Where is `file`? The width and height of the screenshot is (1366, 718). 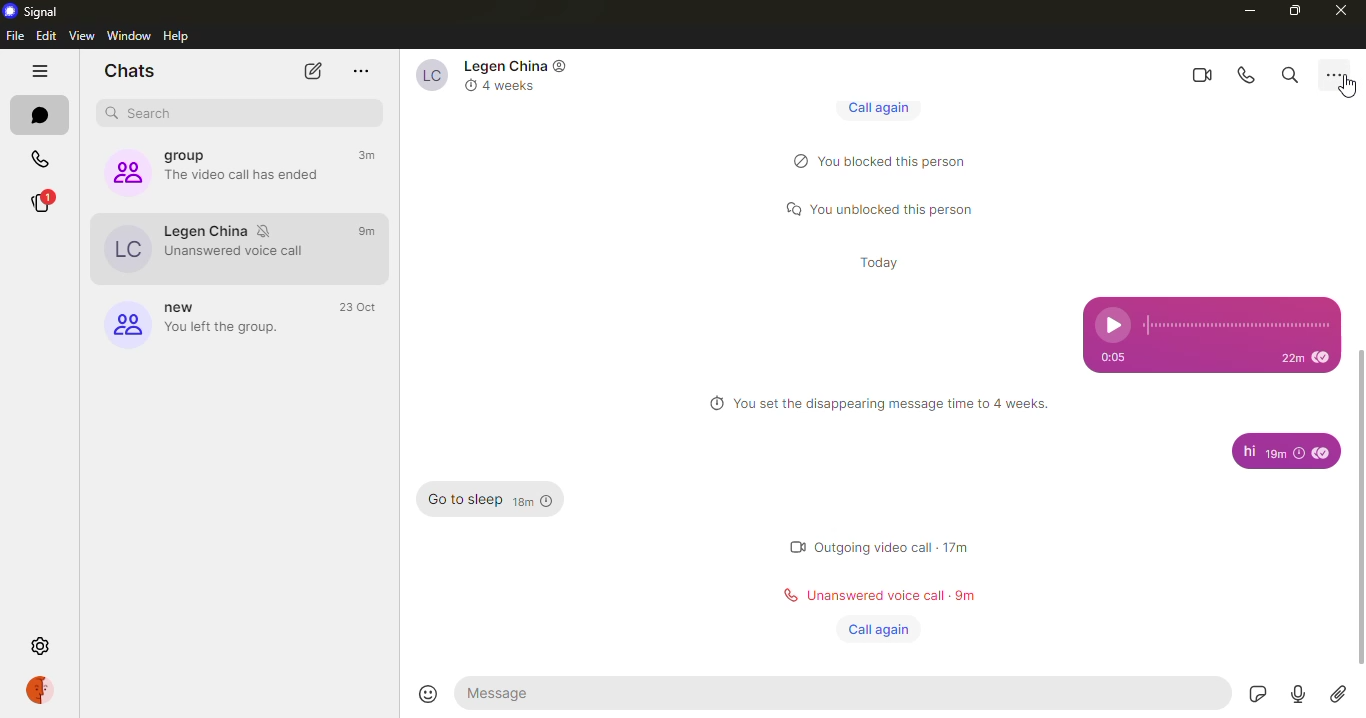
file is located at coordinates (15, 35).